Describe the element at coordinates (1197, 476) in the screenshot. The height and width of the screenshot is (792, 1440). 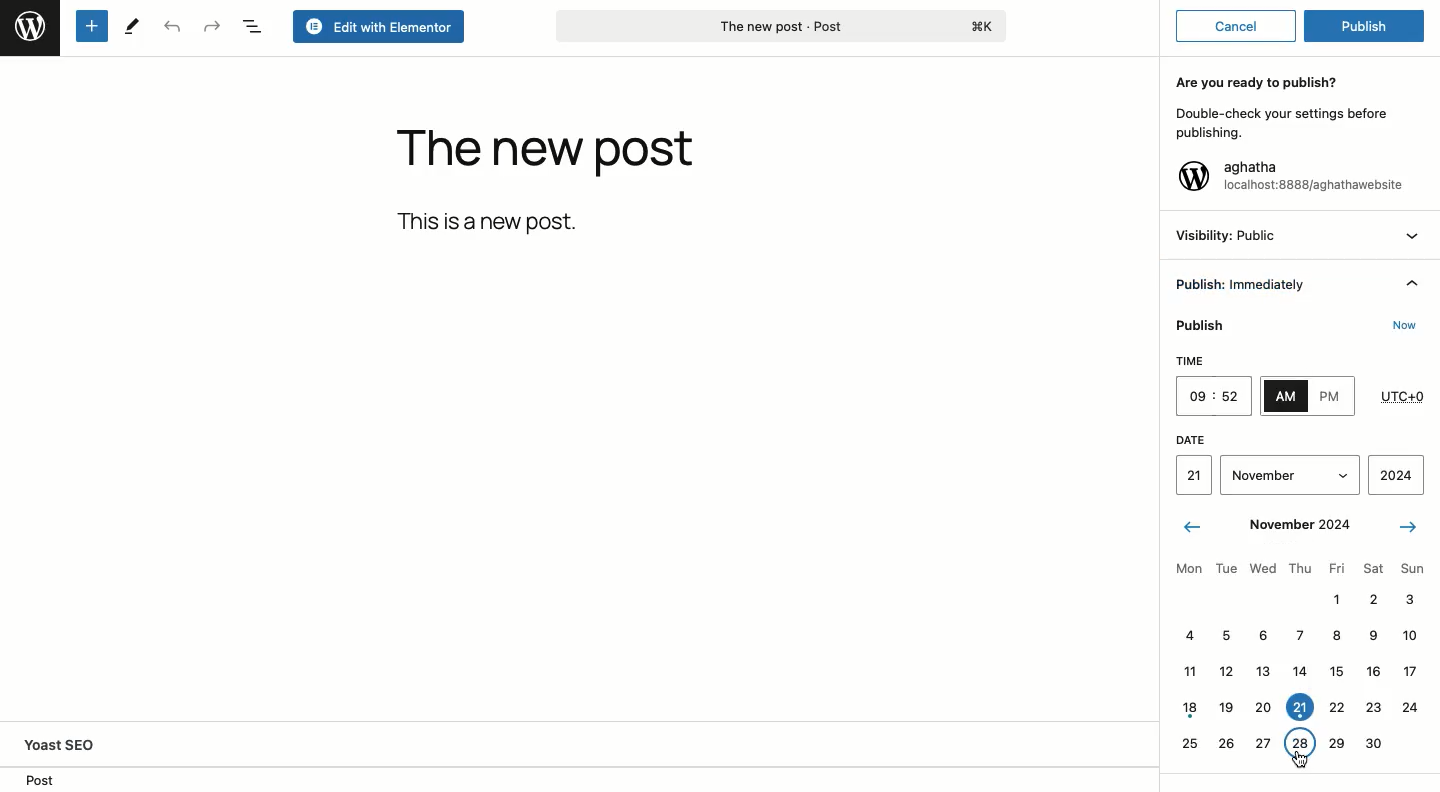
I see `21` at that location.